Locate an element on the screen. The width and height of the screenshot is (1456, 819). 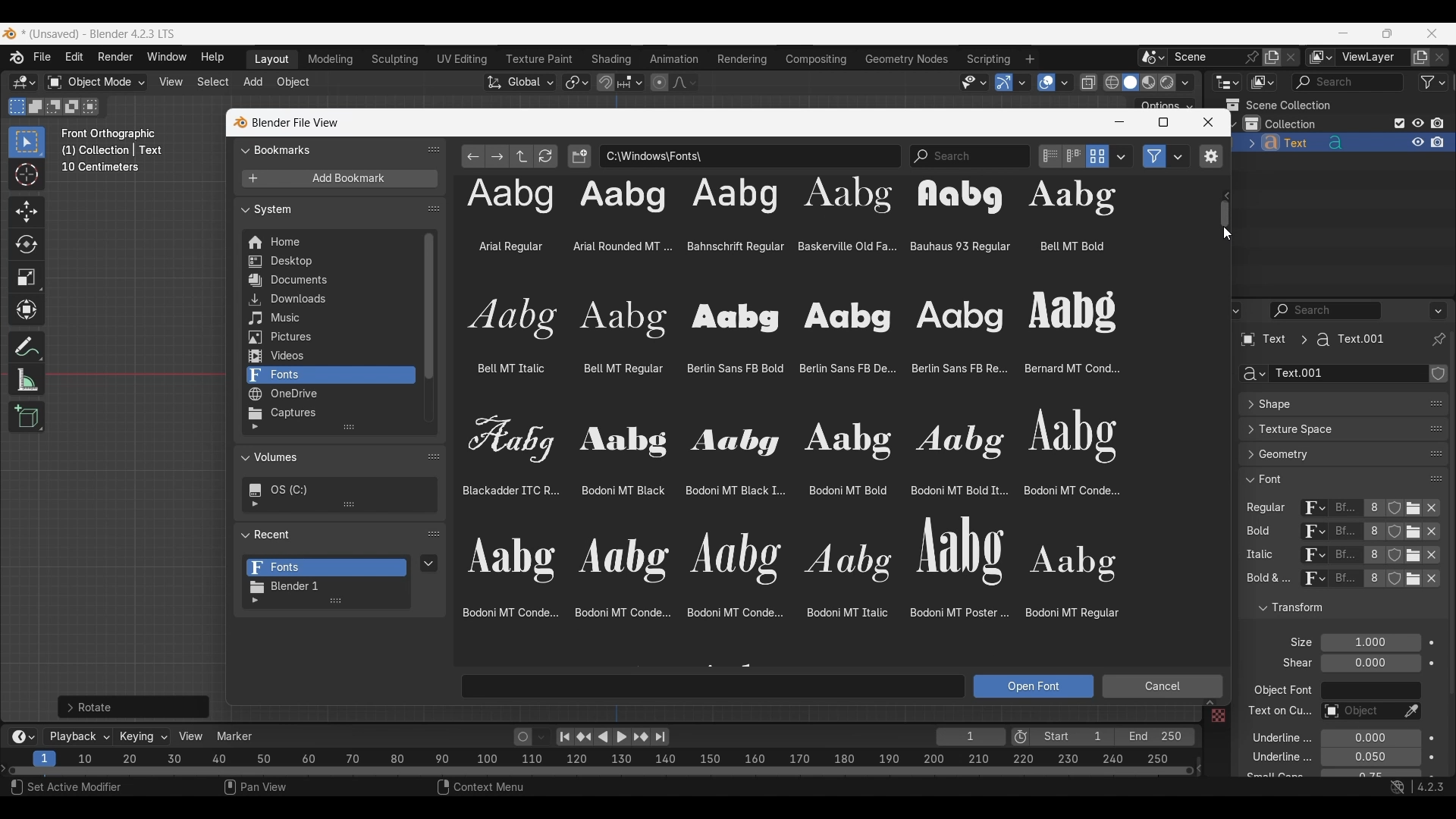
Name of current font of each attribute is located at coordinates (1345, 510).